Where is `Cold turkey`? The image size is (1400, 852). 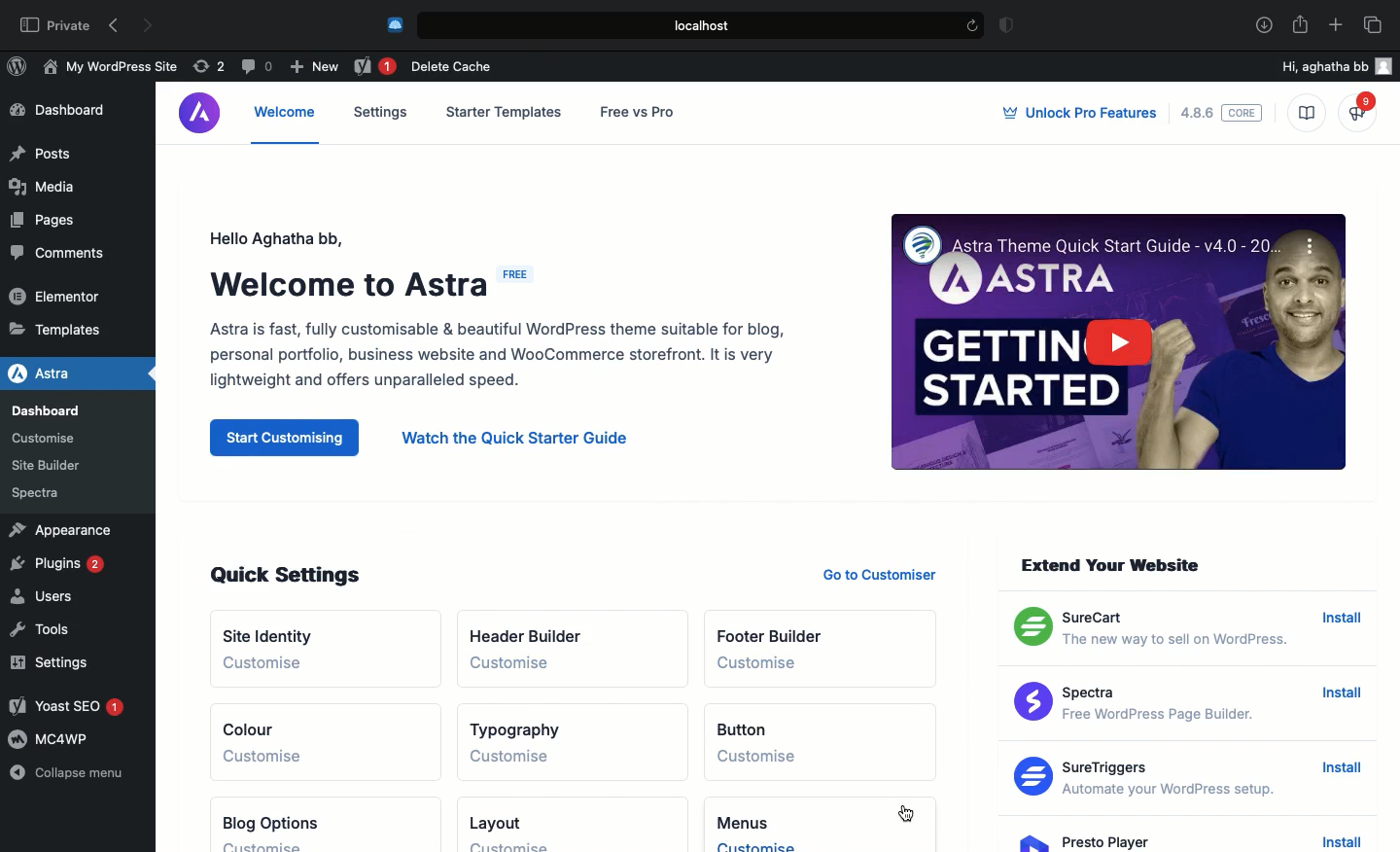 Cold turkey is located at coordinates (396, 25).